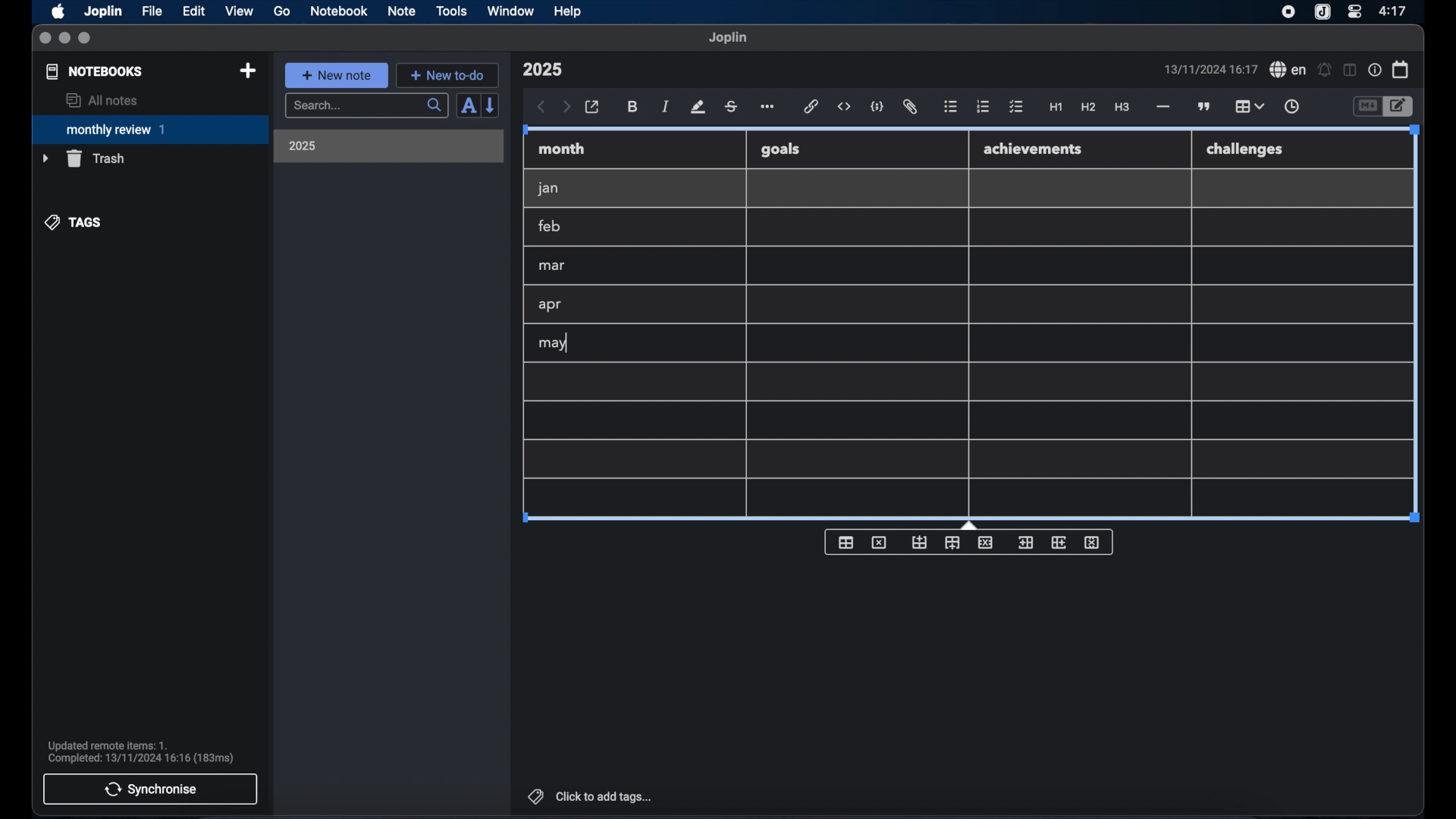 The width and height of the screenshot is (1456, 819). What do you see at coordinates (1354, 11) in the screenshot?
I see `control center` at bounding box center [1354, 11].